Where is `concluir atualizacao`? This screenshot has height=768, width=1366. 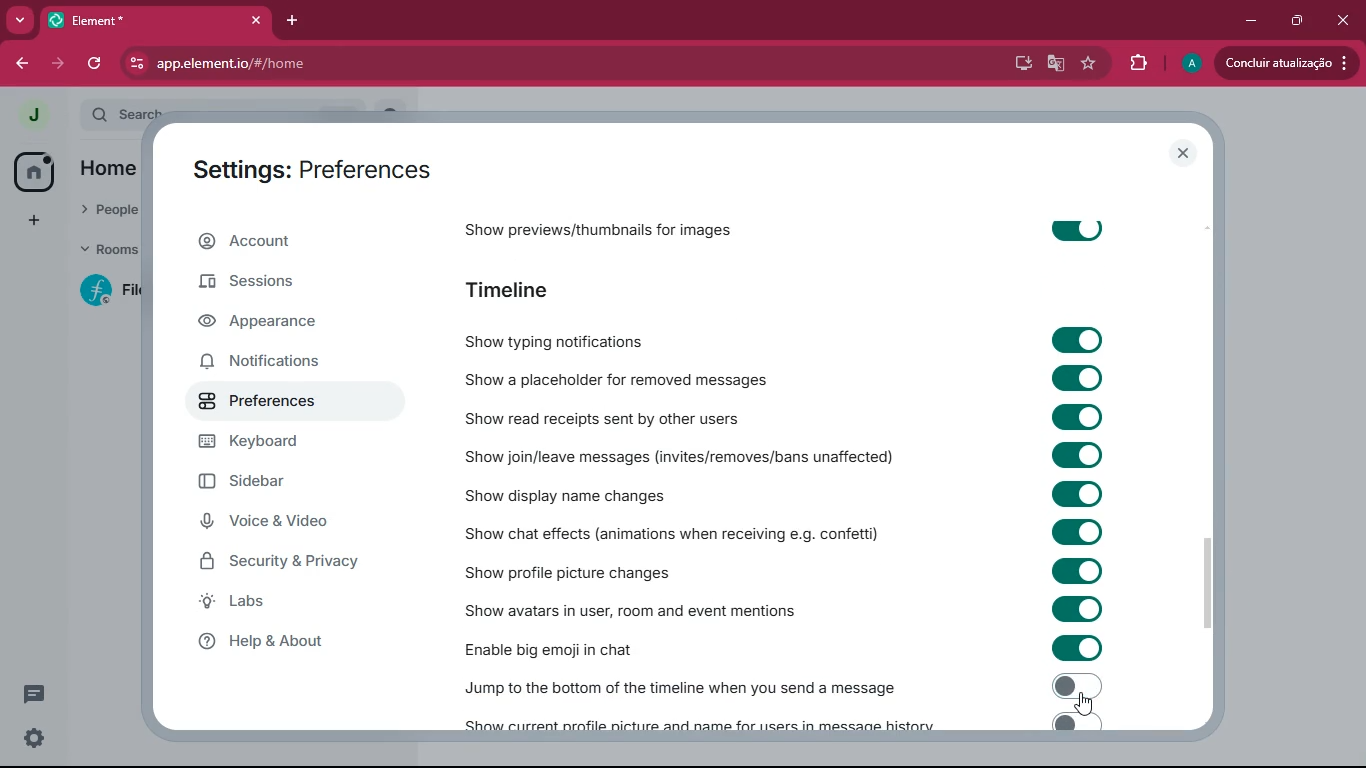
concluir atualizacao is located at coordinates (1287, 62).